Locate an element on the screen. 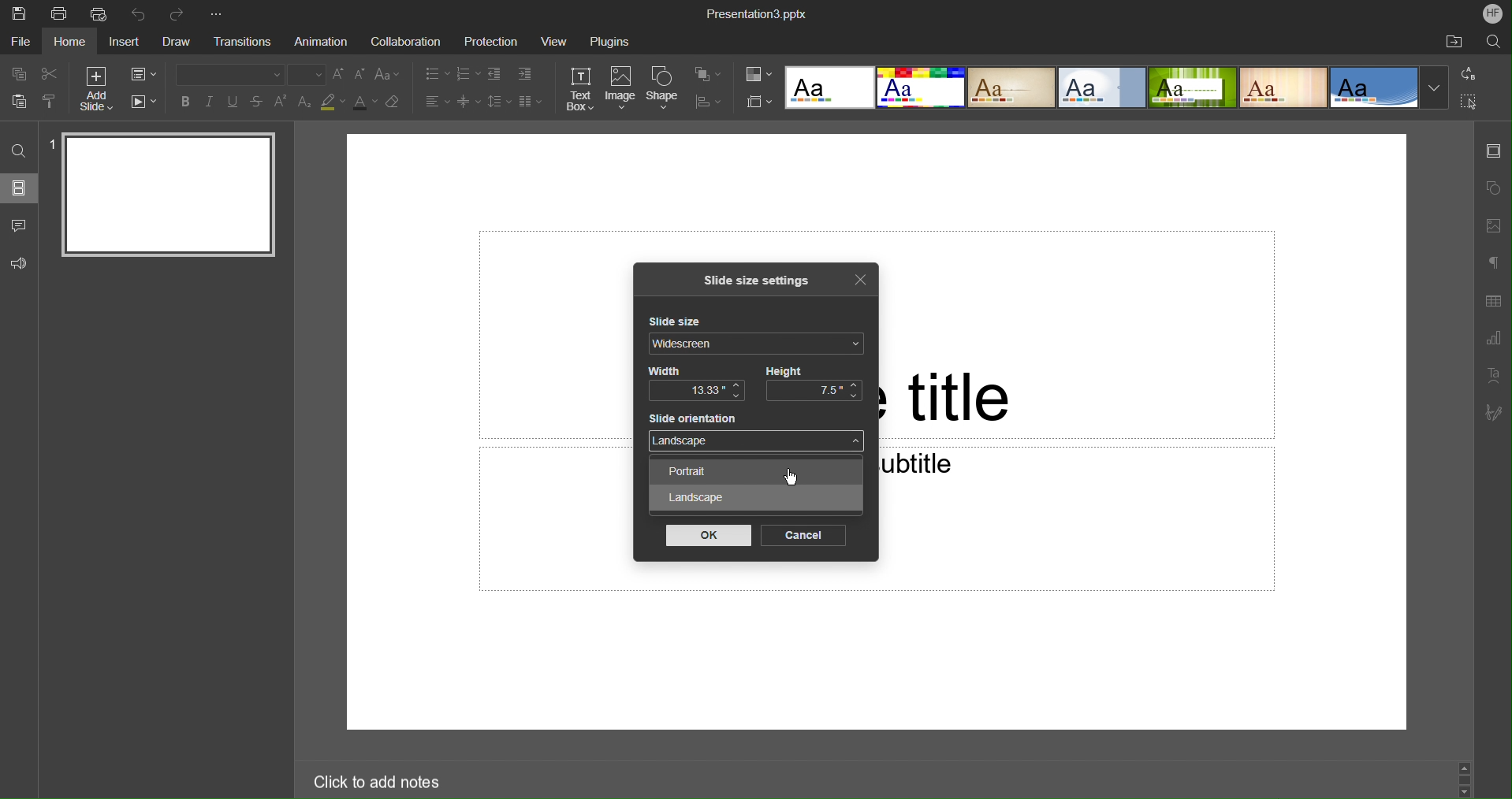 The image size is (1512, 799). Draw is located at coordinates (177, 43).